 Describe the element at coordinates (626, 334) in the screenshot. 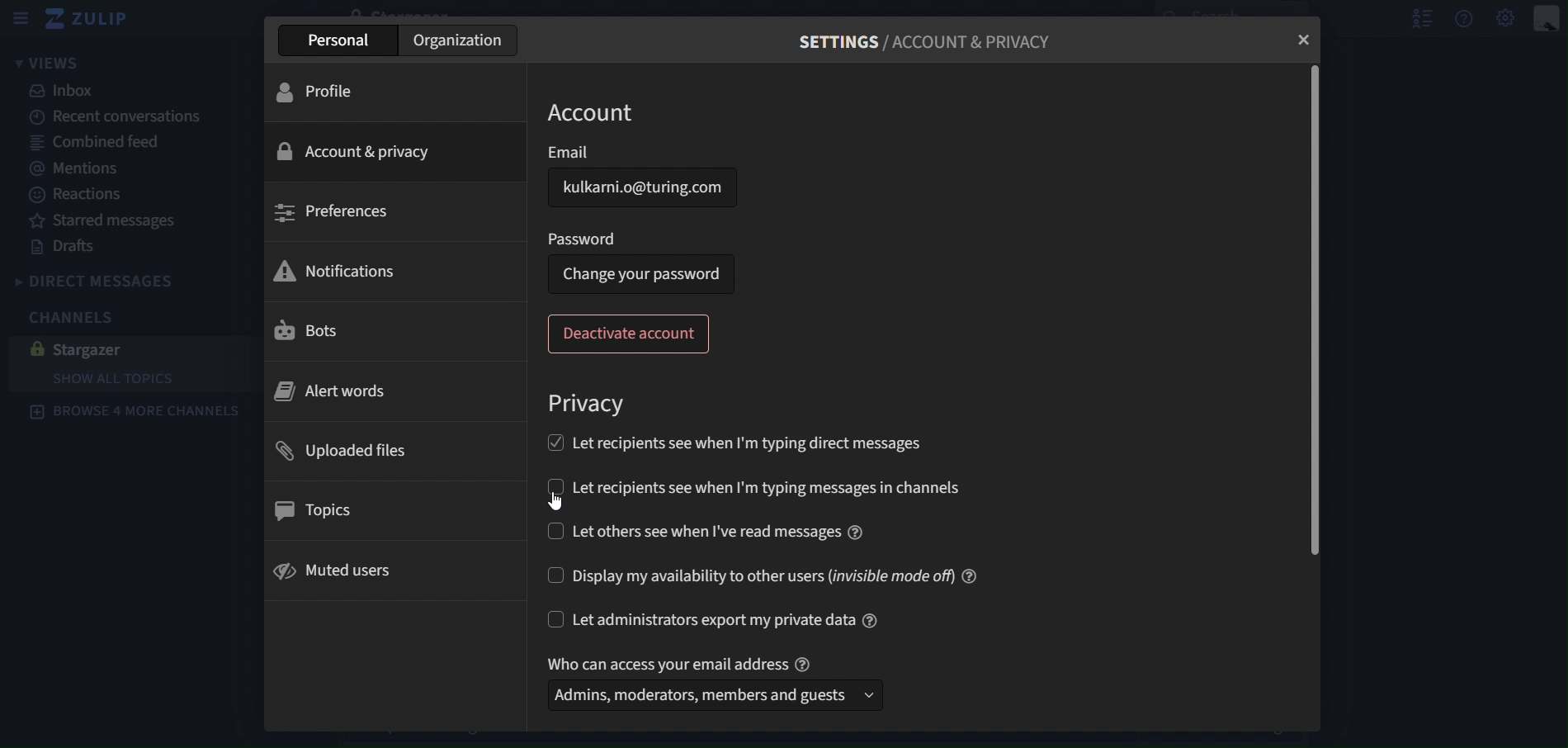

I see `deactivate account` at that location.